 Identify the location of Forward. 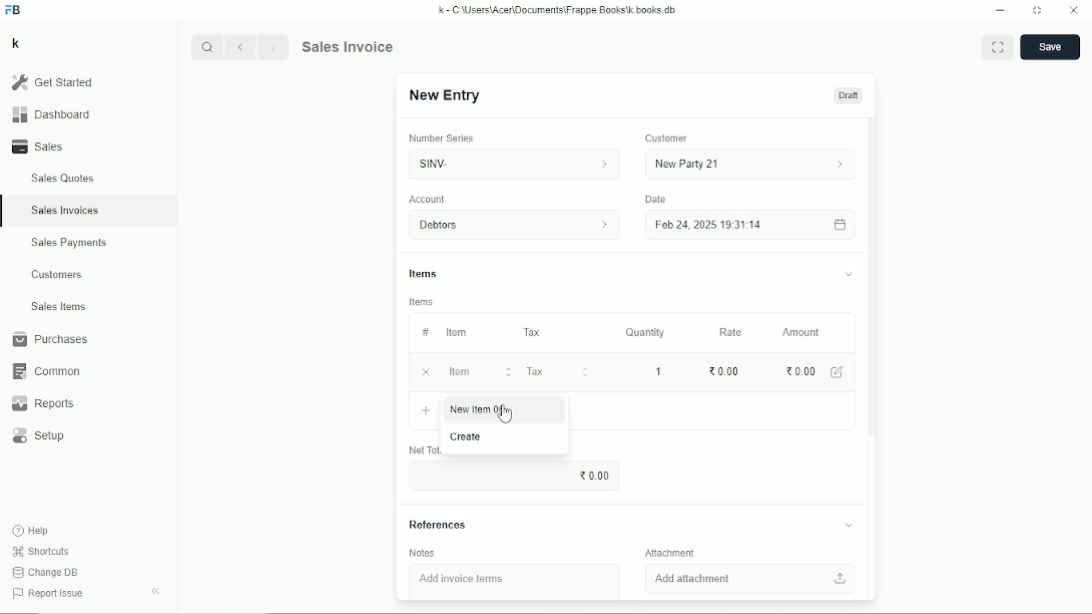
(275, 45).